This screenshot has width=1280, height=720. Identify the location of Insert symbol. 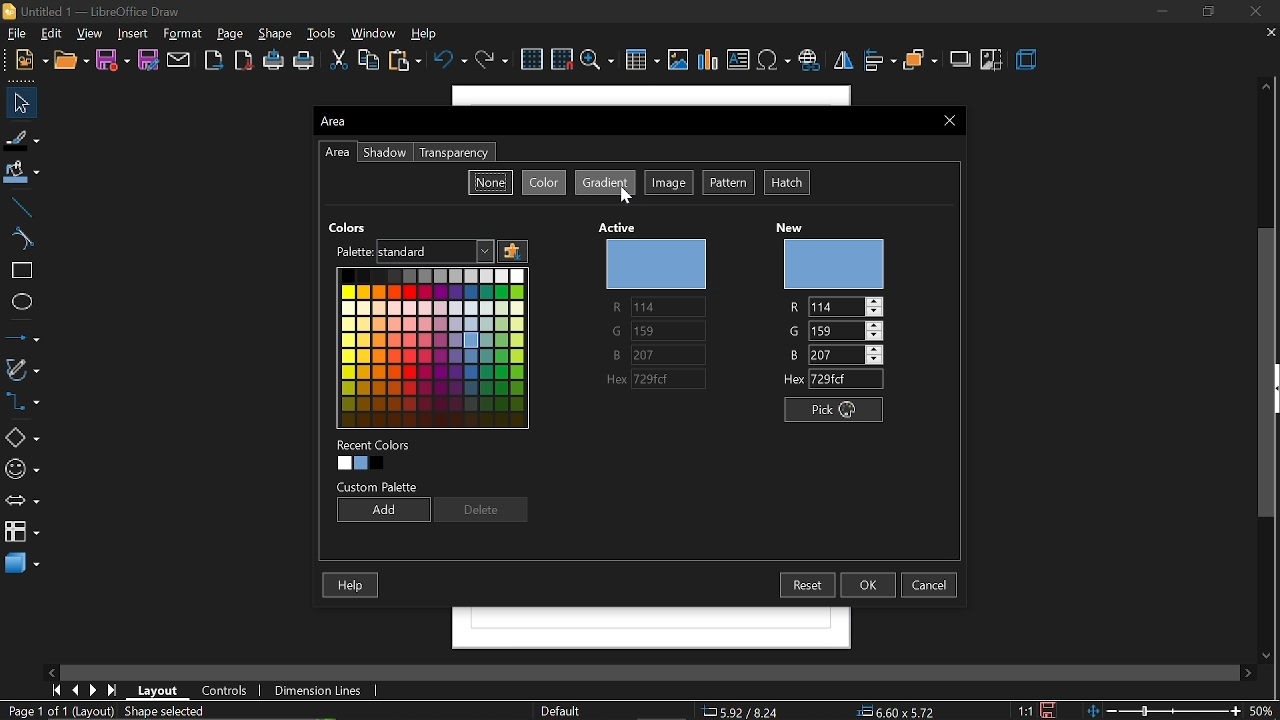
(774, 63).